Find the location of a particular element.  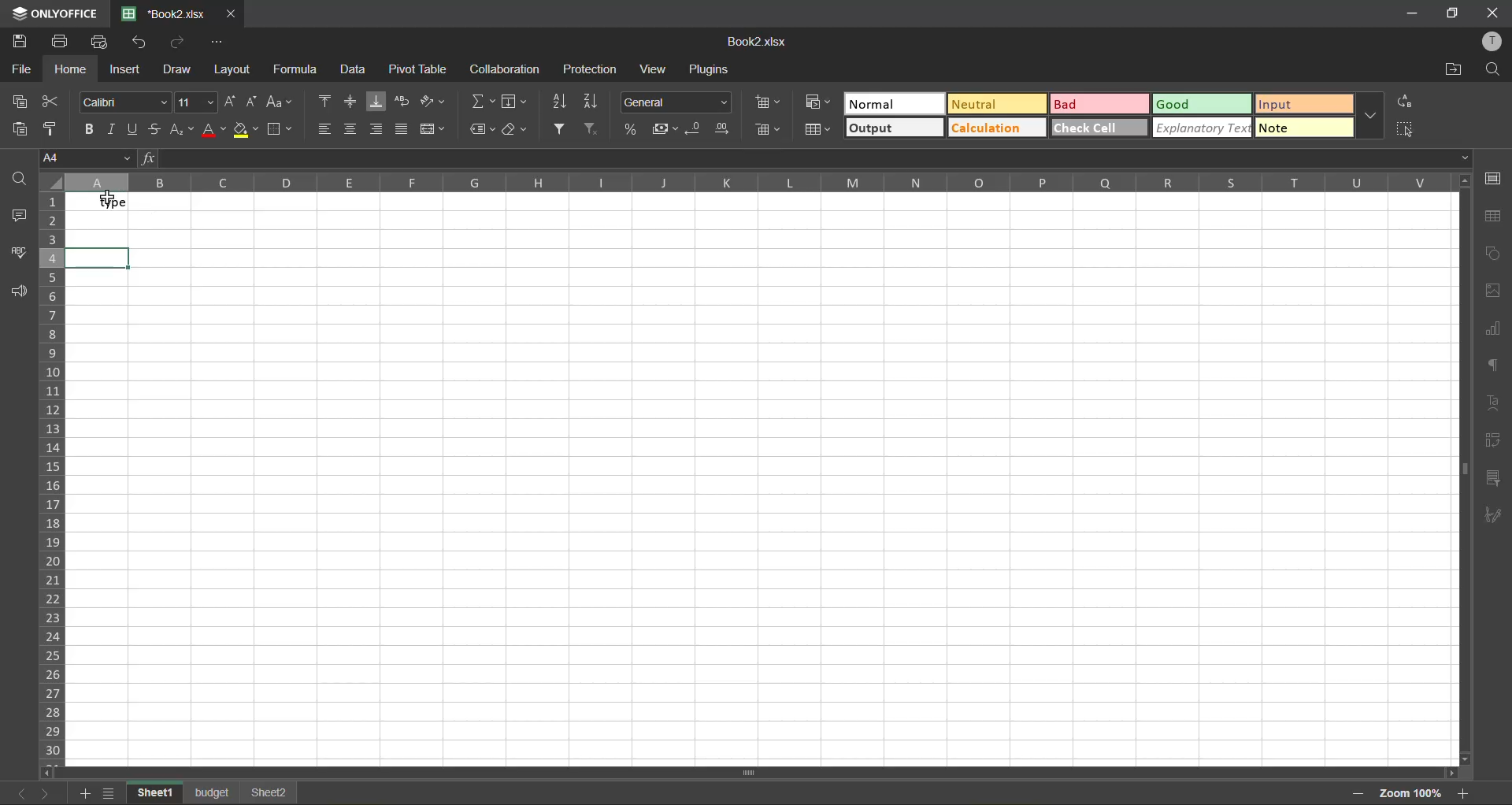

comments is located at coordinates (17, 213).